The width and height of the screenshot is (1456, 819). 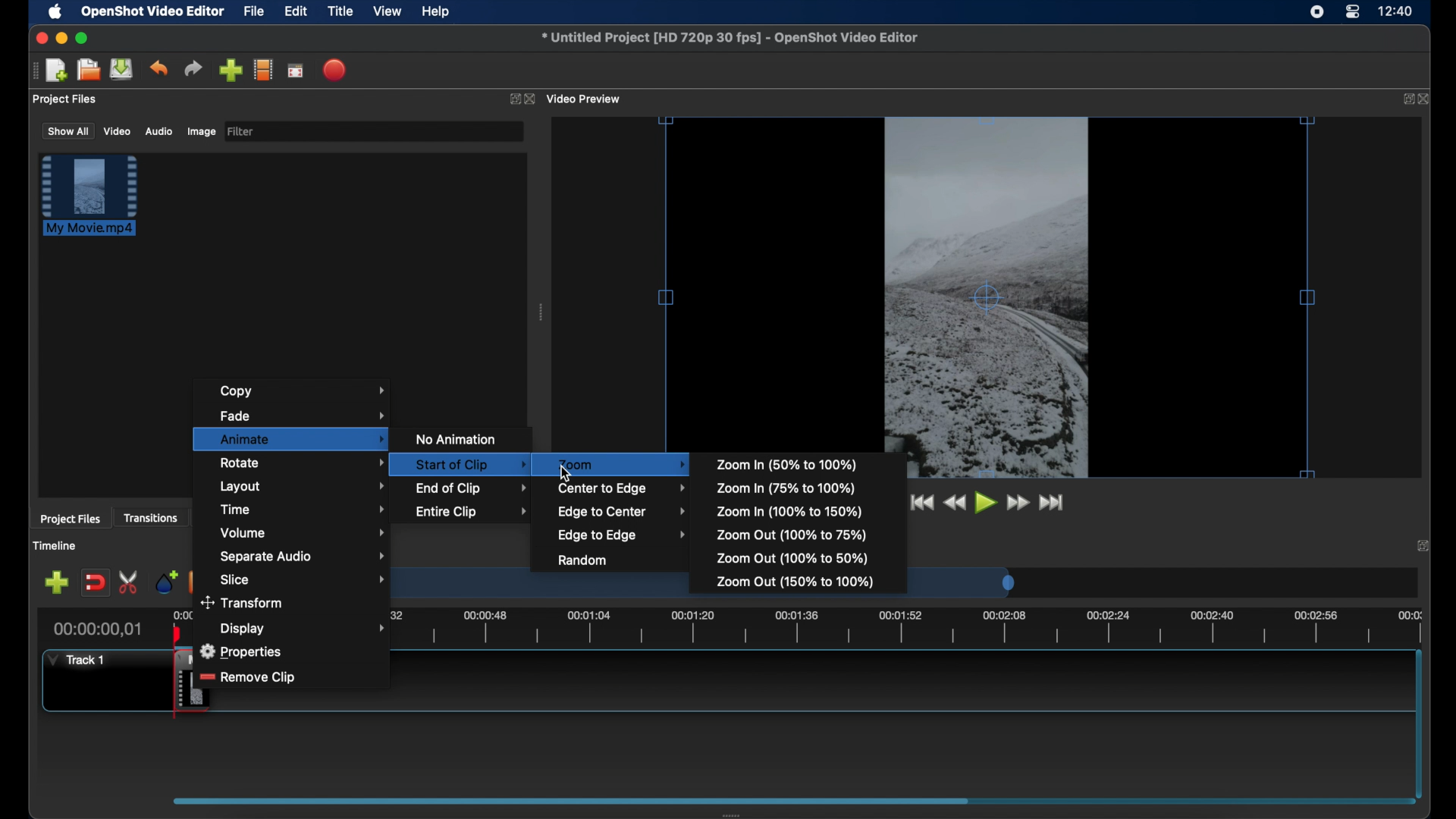 I want to click on animate menu highlighted, so click(x=290, y=438).